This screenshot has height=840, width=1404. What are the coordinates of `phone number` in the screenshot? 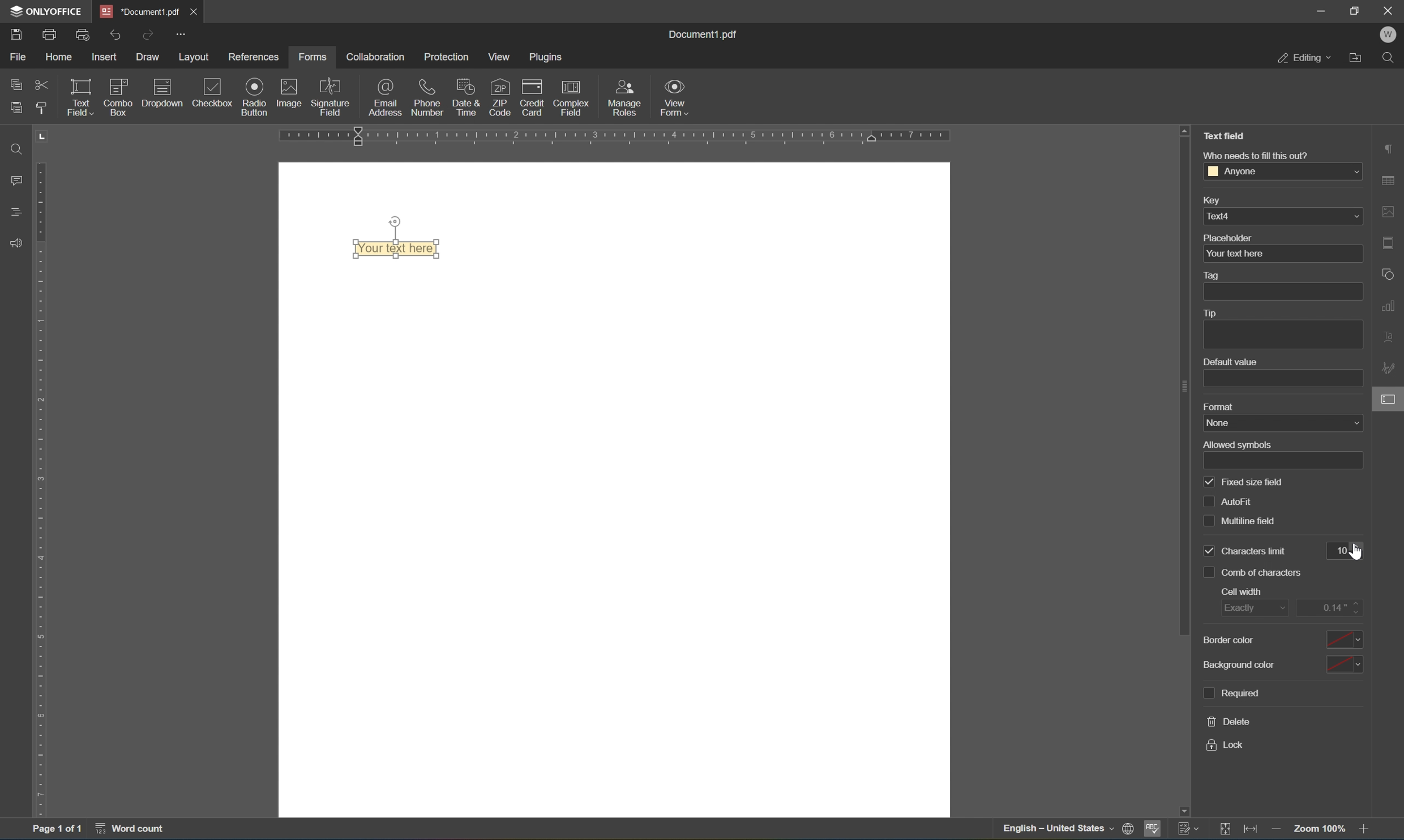 It's located at (427, 97).